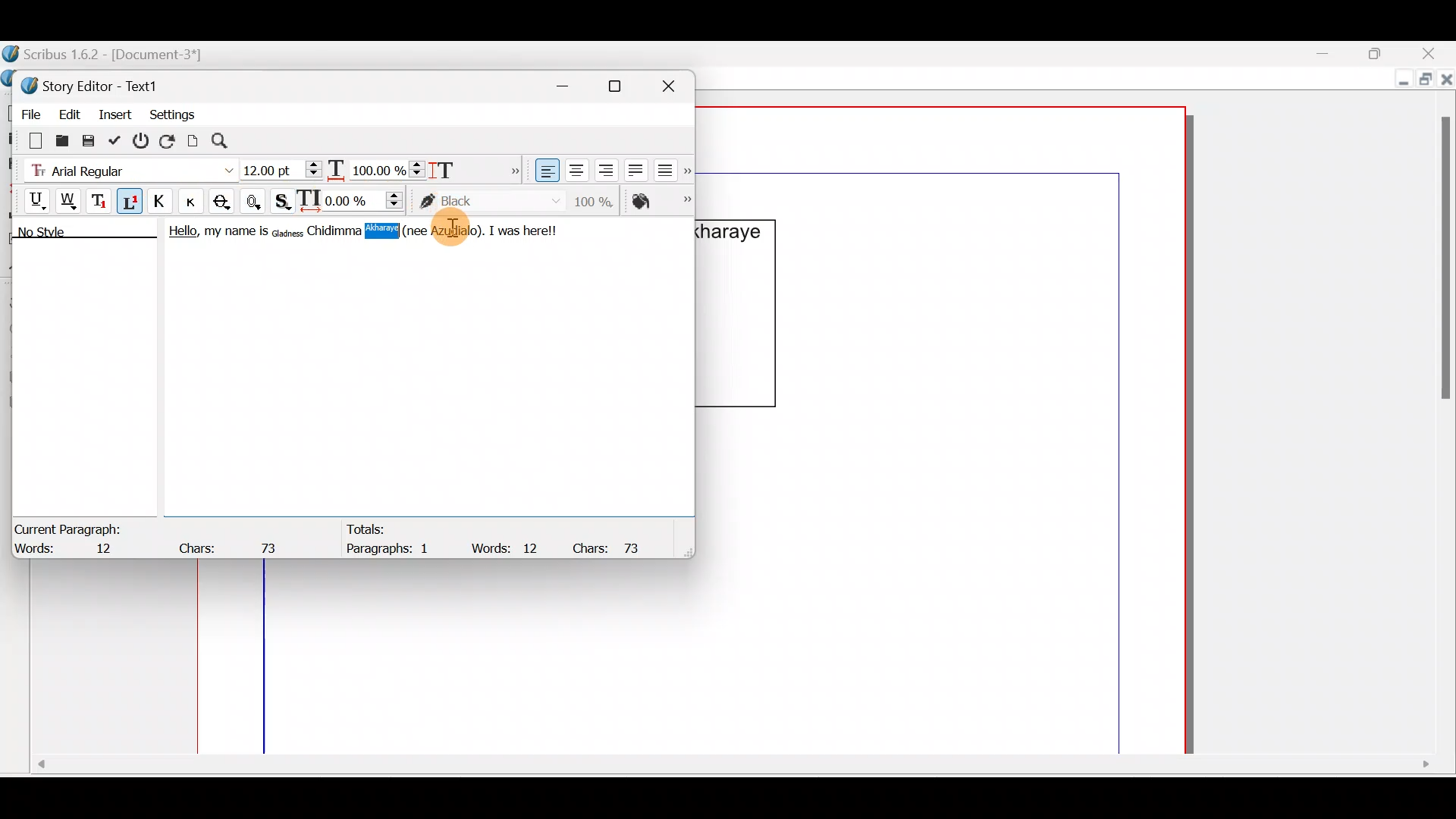 Image resolution: width=1456 pixels, height=819 pixels. What do you see at coordinates (283, 170) in the screenshot?
I see `Font size - 12:00pt` at bounding box center [283, 170].